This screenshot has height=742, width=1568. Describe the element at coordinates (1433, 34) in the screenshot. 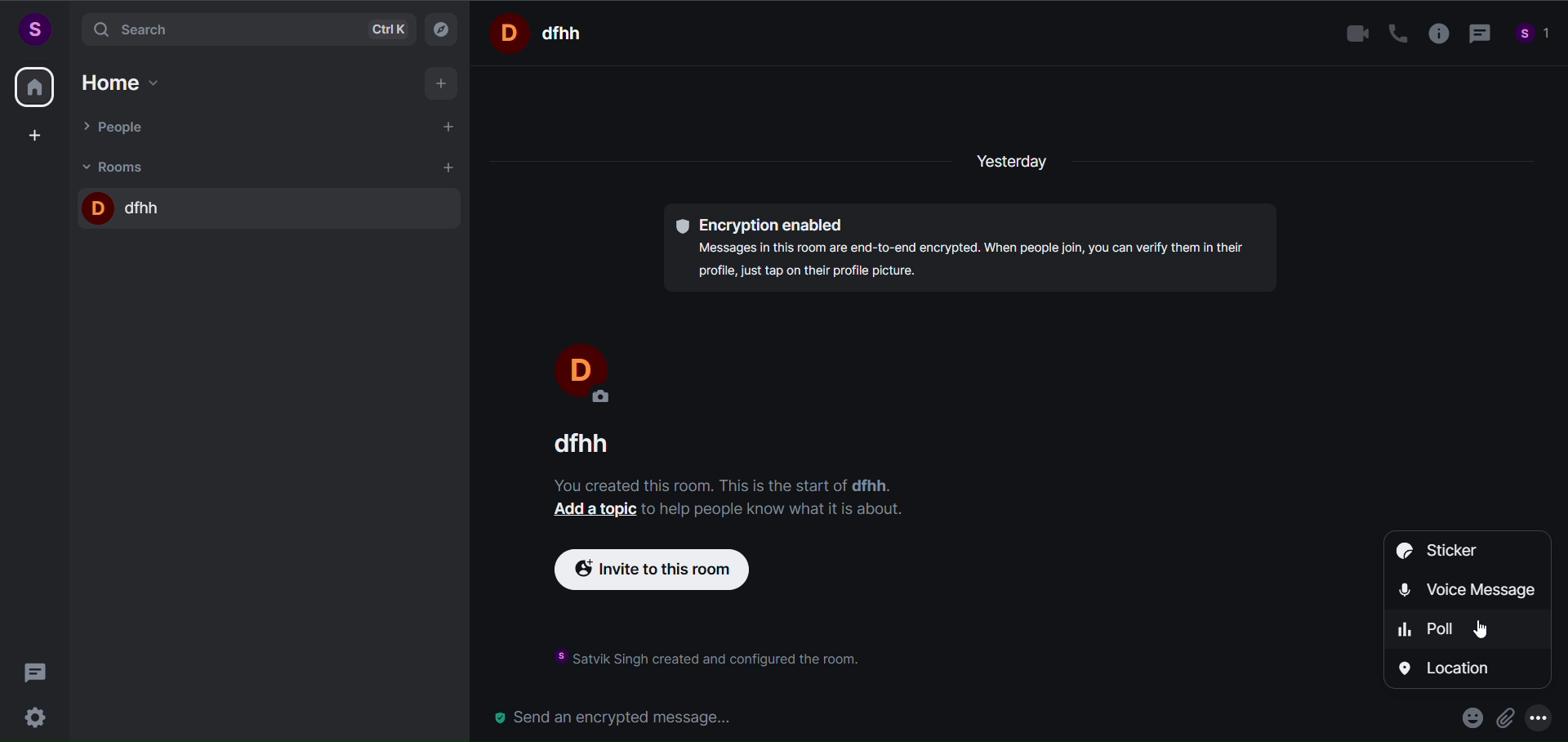

I see `room info` at that location.